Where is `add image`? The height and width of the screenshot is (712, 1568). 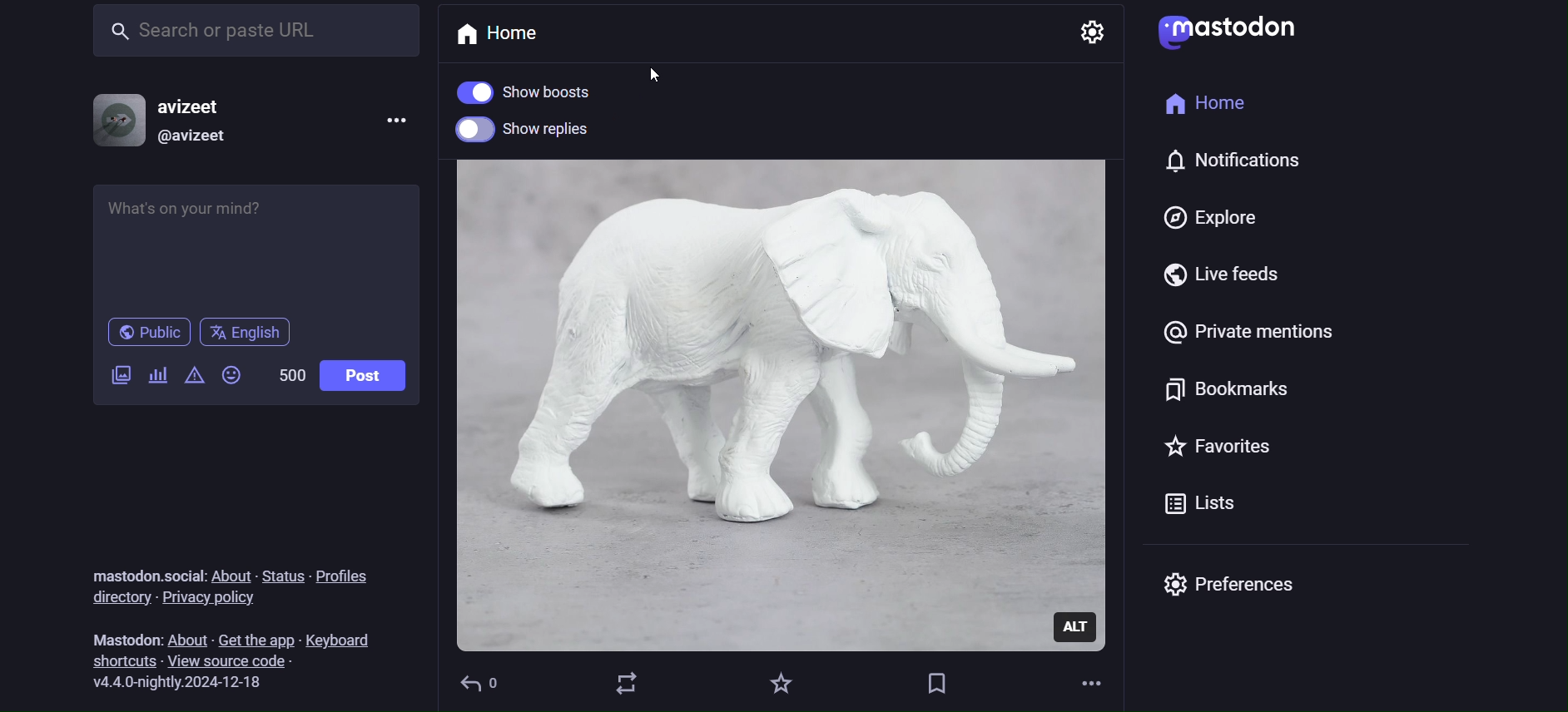 add image is located at coordinates (117, 377).